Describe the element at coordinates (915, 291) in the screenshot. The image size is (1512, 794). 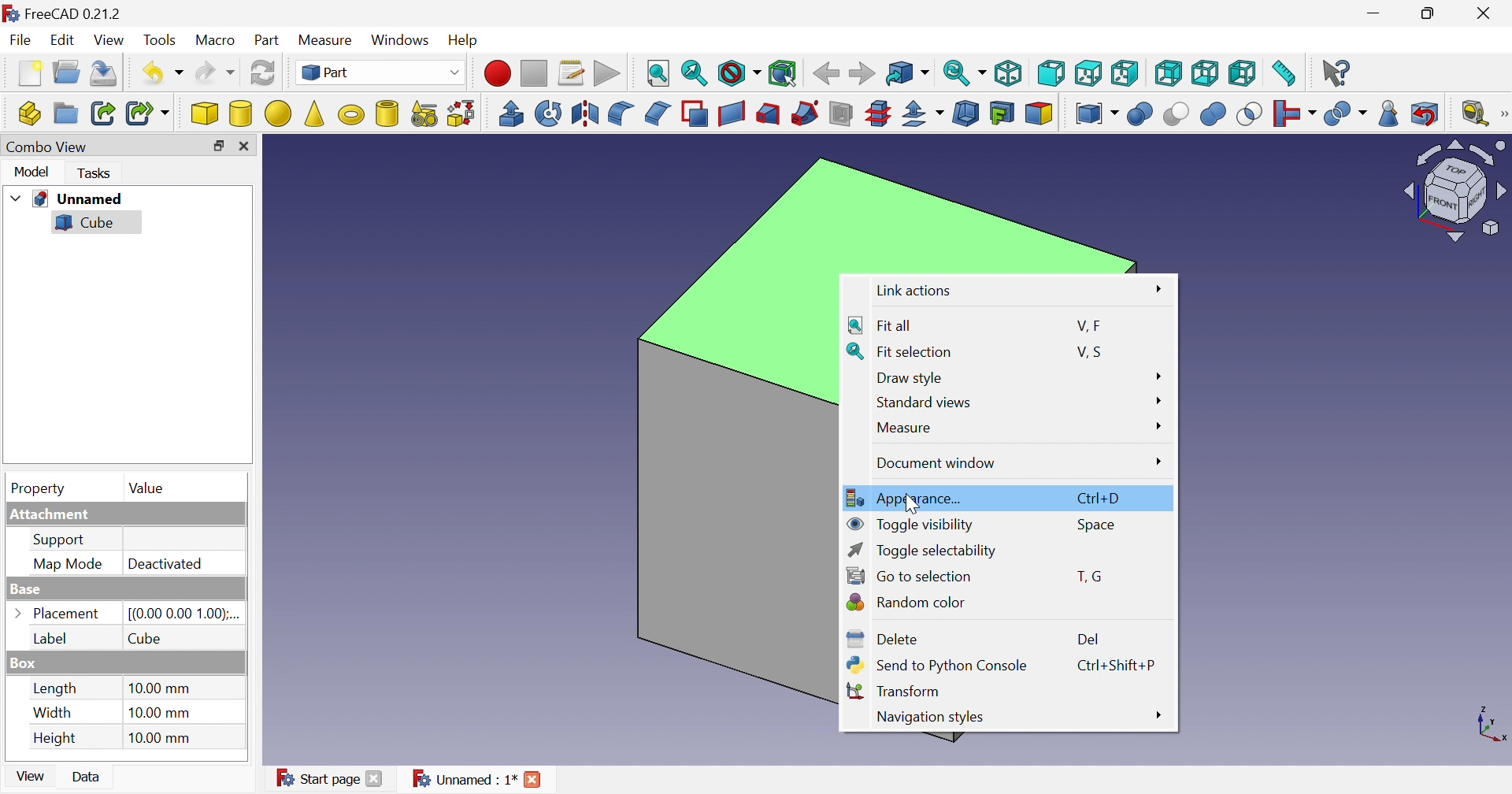
I see `Link actions` at that location.